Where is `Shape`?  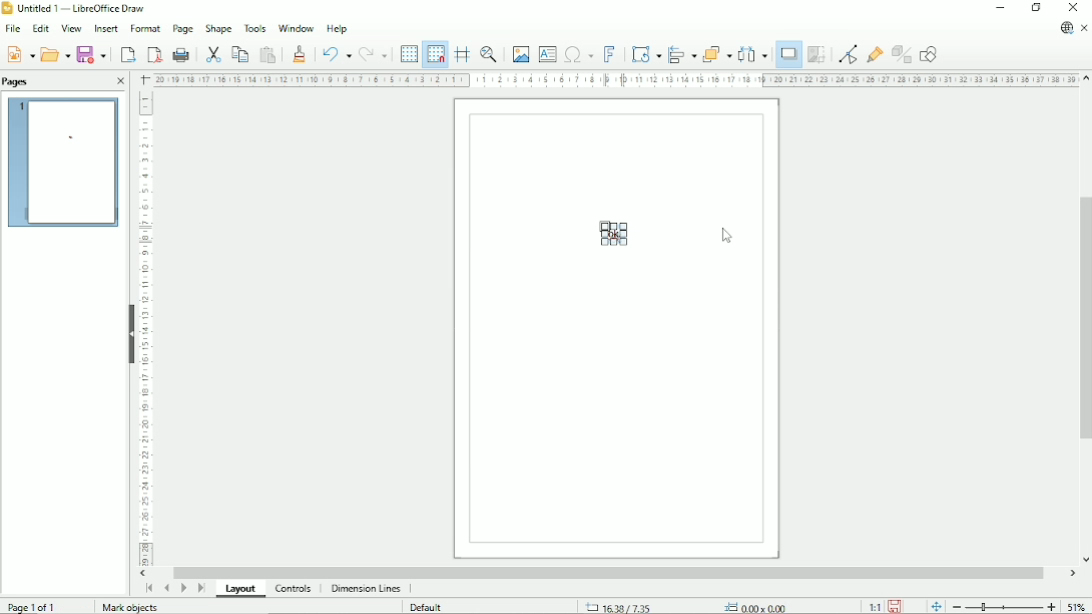
Shape is located at coordinates (218, 28).